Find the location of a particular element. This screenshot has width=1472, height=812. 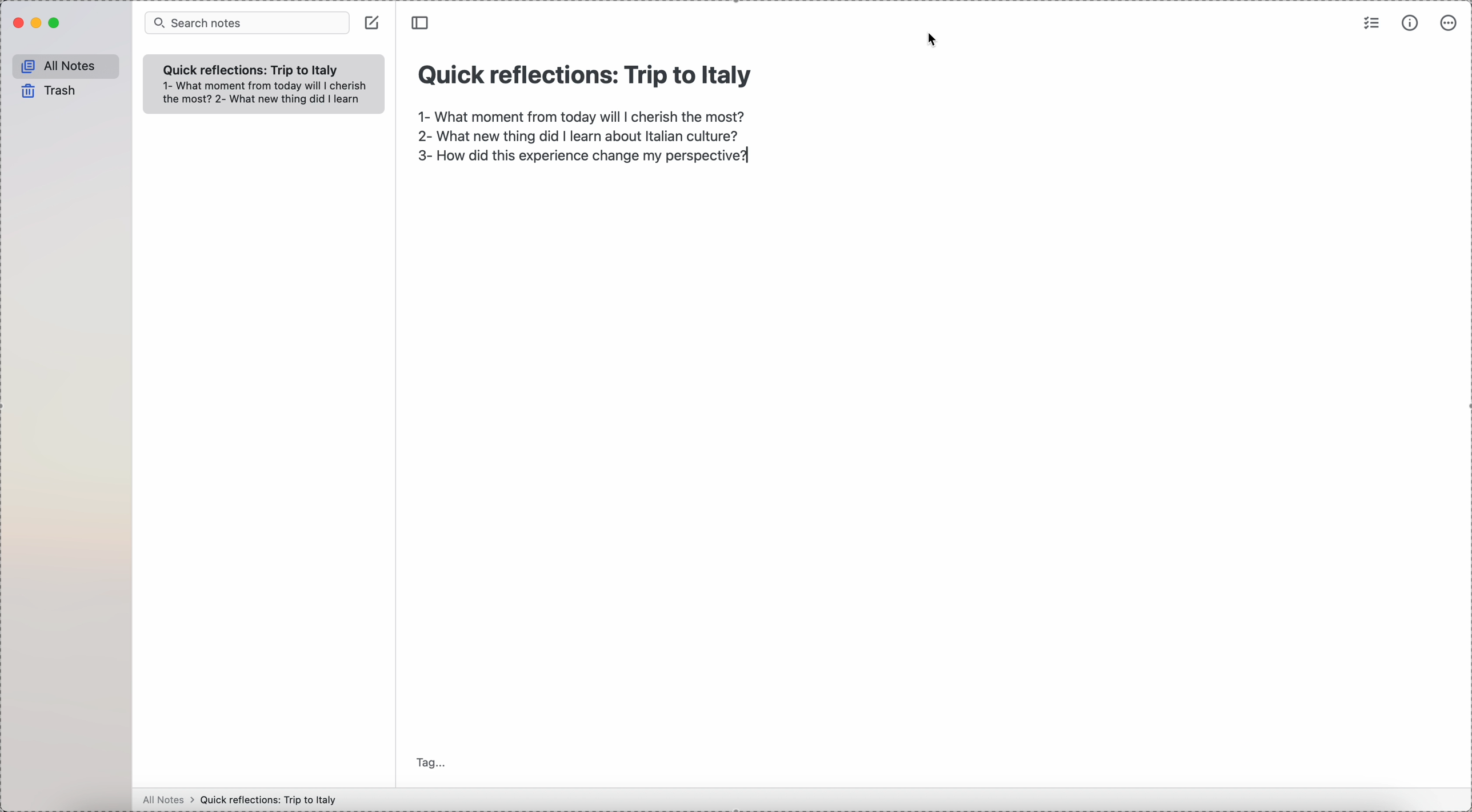

search bar is located at coordinates (247, 22).